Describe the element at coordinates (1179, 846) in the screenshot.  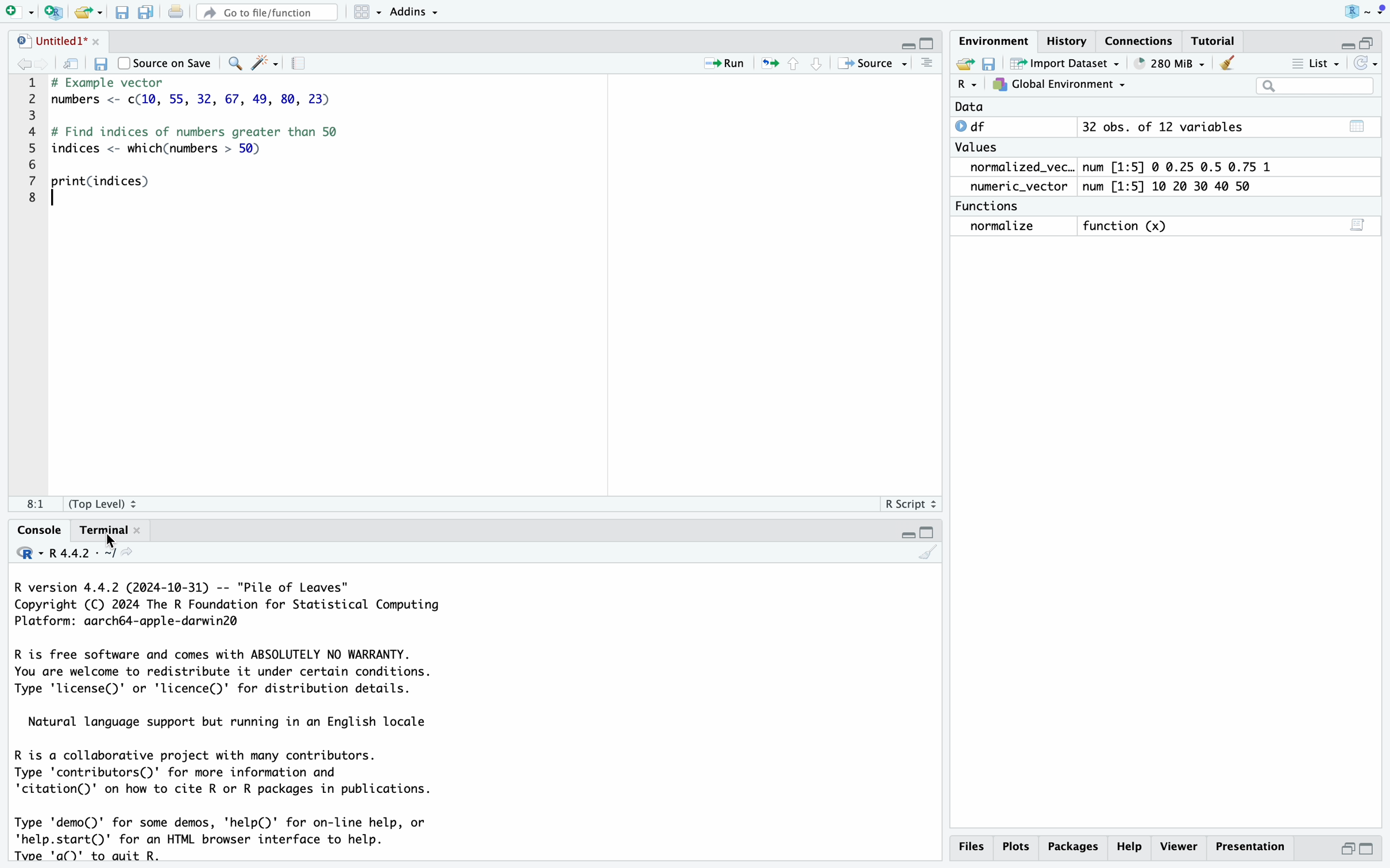
I see `viewer` at that location.